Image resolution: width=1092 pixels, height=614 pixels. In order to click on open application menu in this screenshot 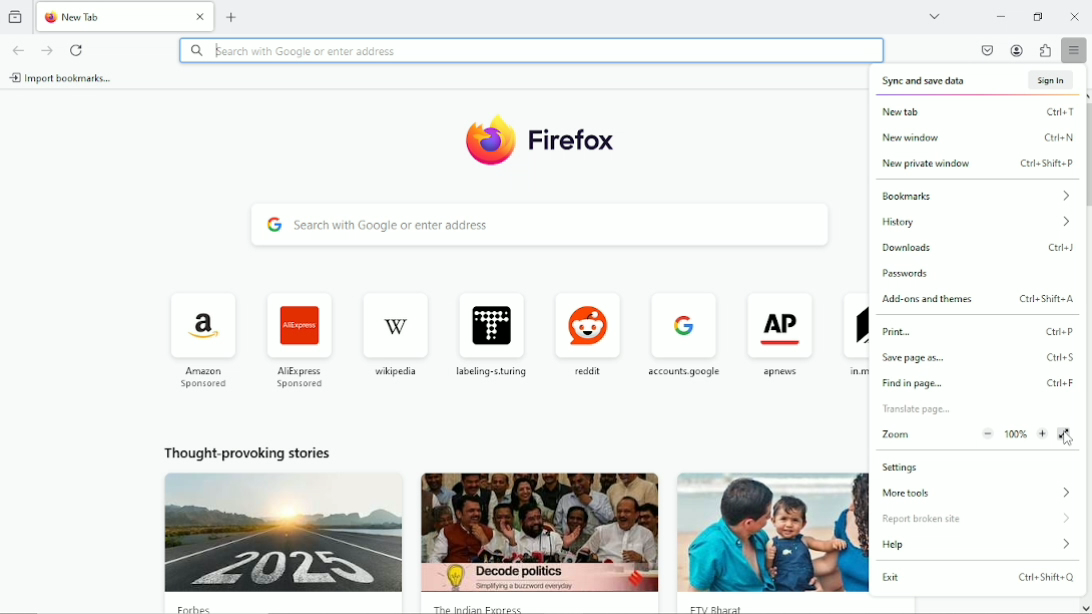, I will do `click(1076, 51)`.